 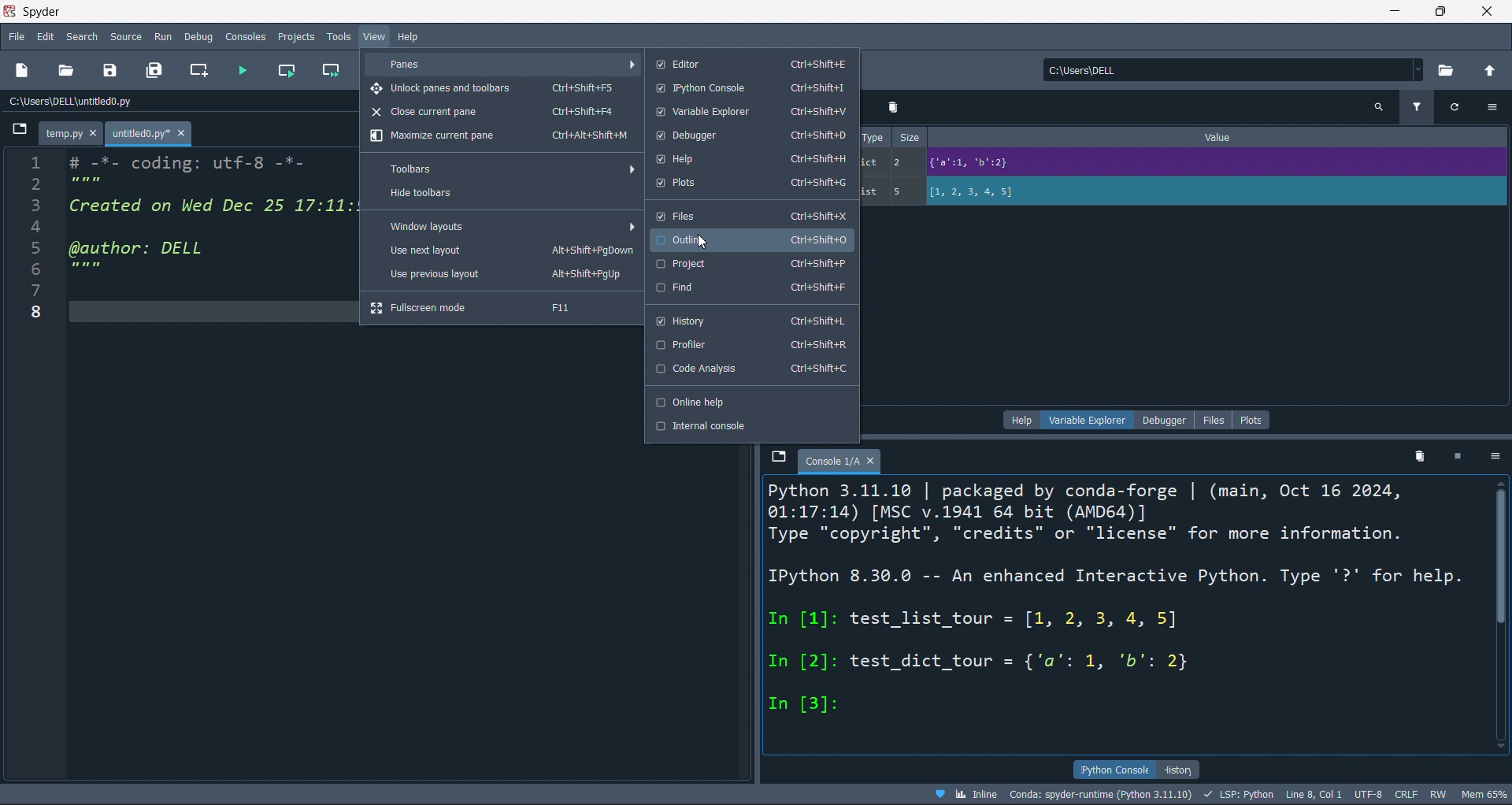 What do you see at coordinates (499, 138) in the screenshot?
I see `maximize current pane` at bounding box center [499, 138].